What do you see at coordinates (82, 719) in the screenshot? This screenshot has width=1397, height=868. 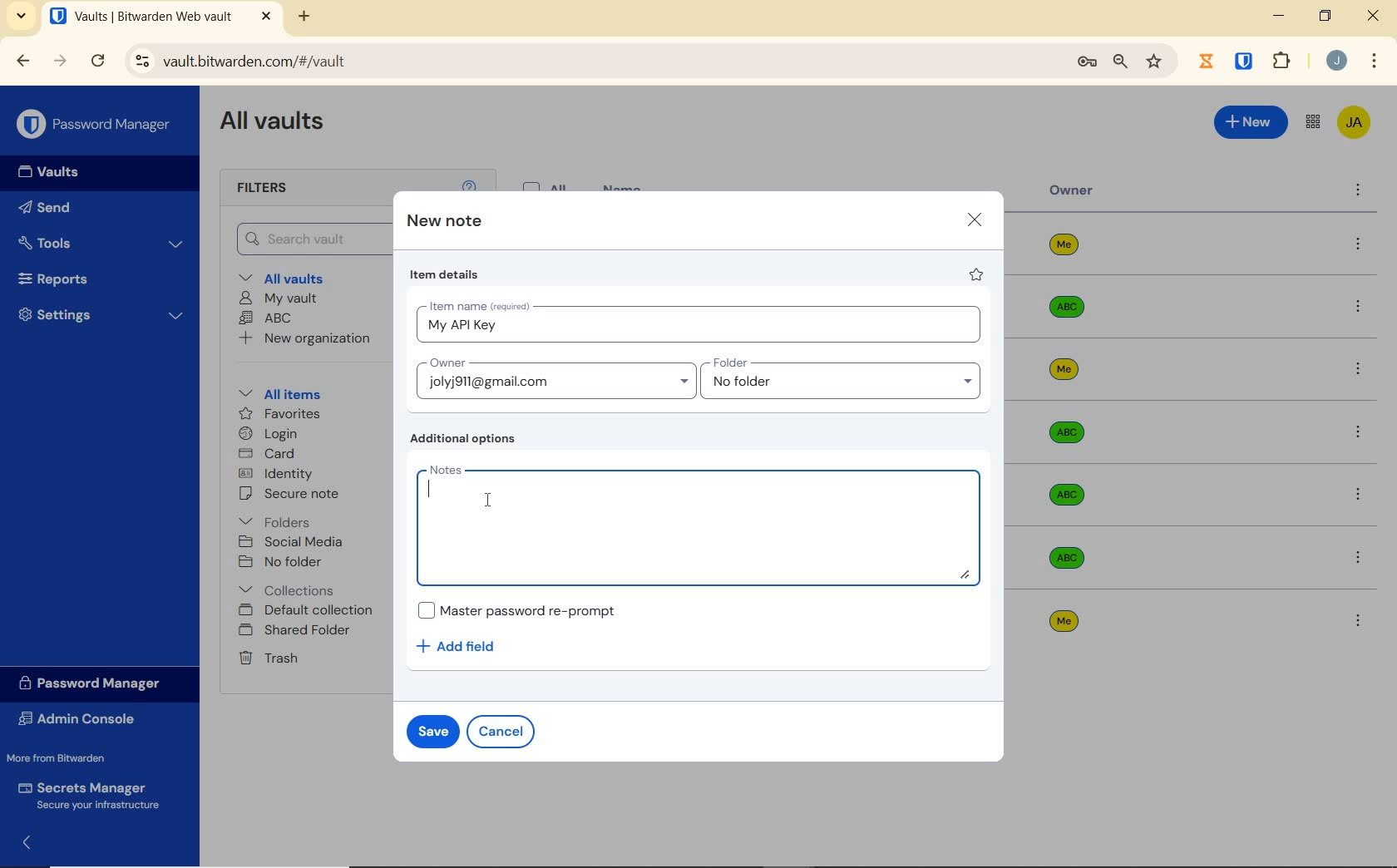 I see `Admin Console` at bounding box center [82, 719].